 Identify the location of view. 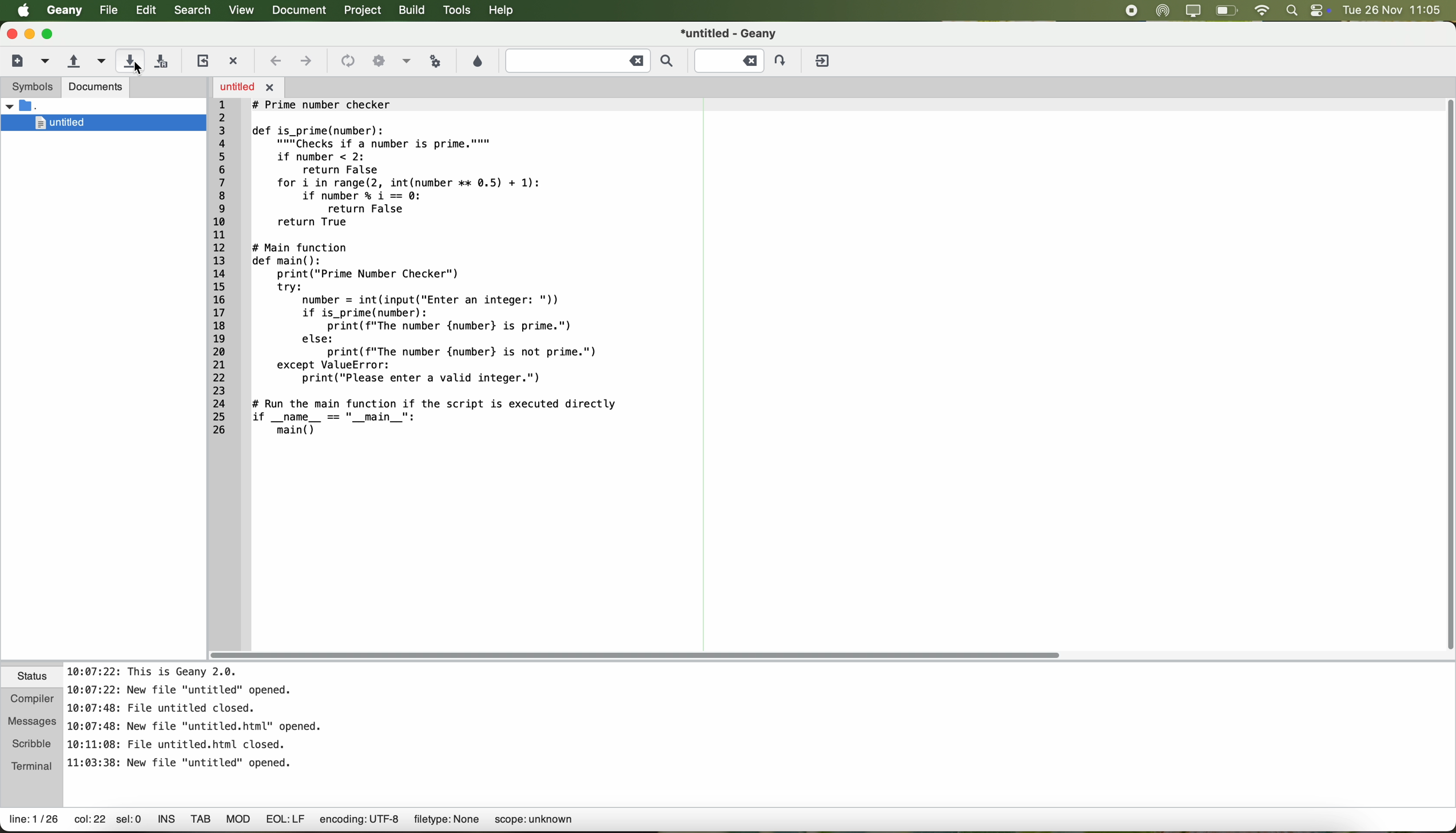
(240, 10).